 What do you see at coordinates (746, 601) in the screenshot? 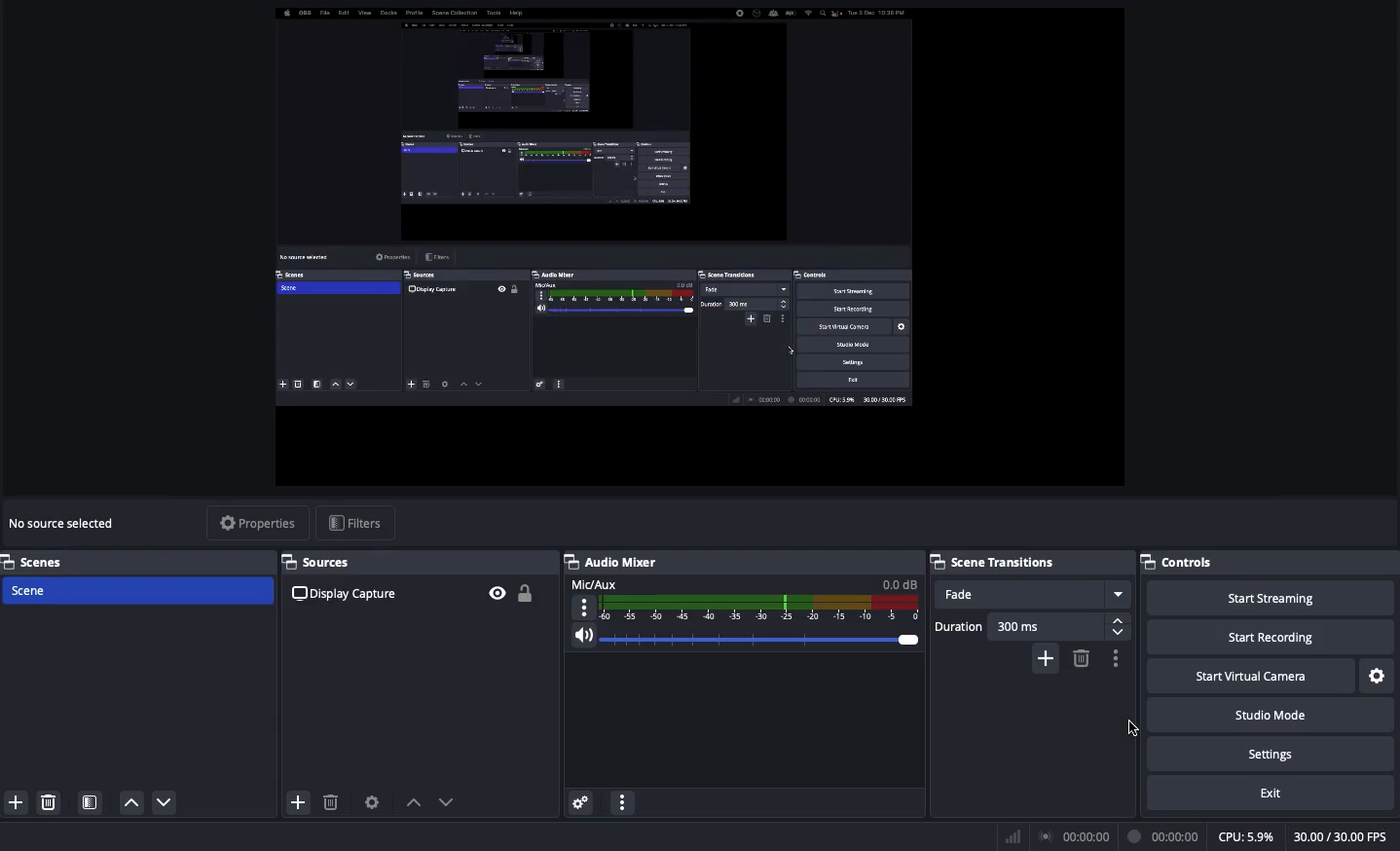
I see `Audio Mixer` at bounding box center [746, 601].